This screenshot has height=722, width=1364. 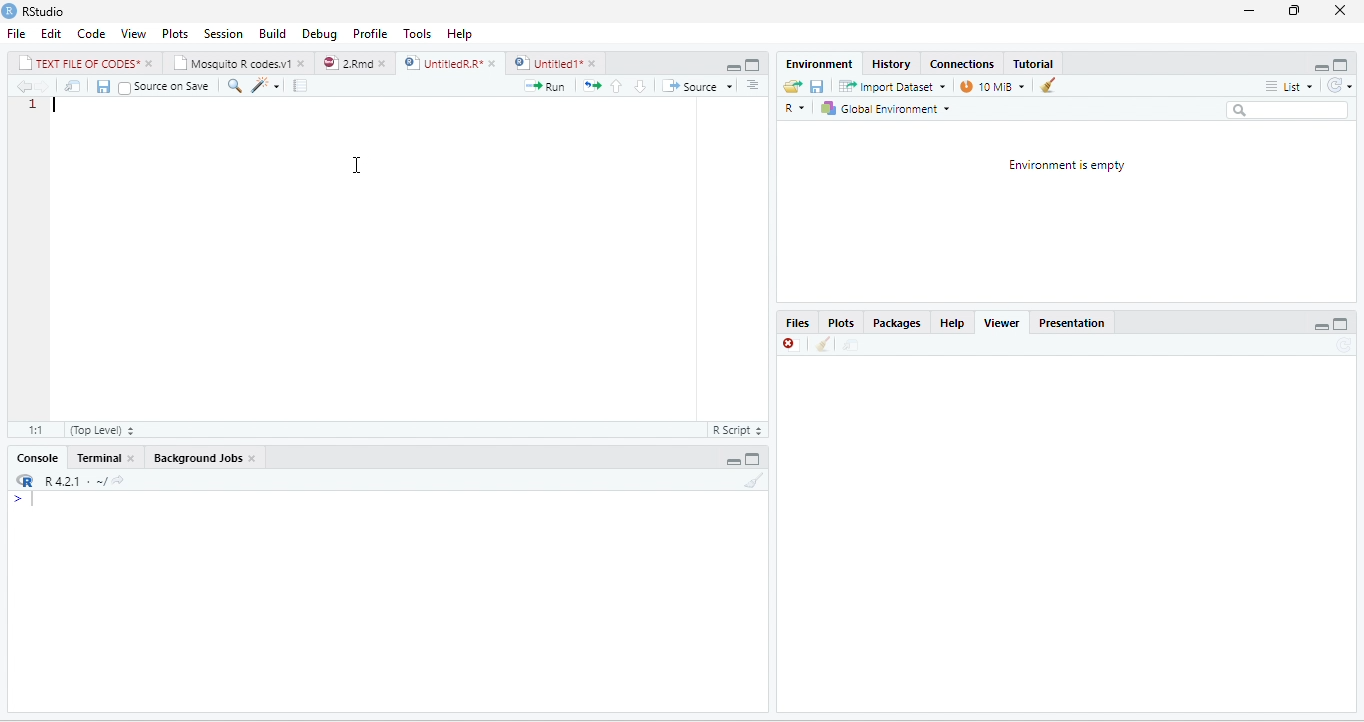 What do you see at coordinates (51, 34) in the screenshot?
I see `Edit` at bounding box center [51, 34].